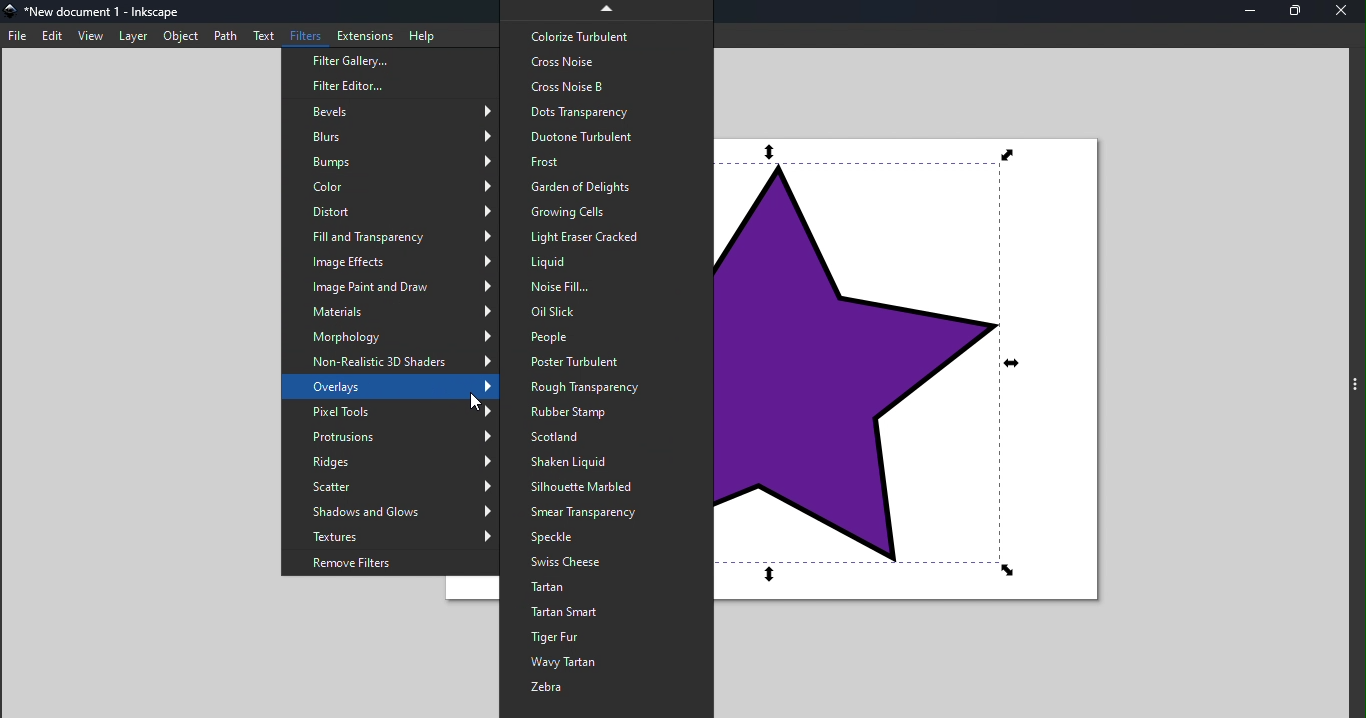 The image size is (1366, 718). I want to click on Oil sick, so click(603, 312).